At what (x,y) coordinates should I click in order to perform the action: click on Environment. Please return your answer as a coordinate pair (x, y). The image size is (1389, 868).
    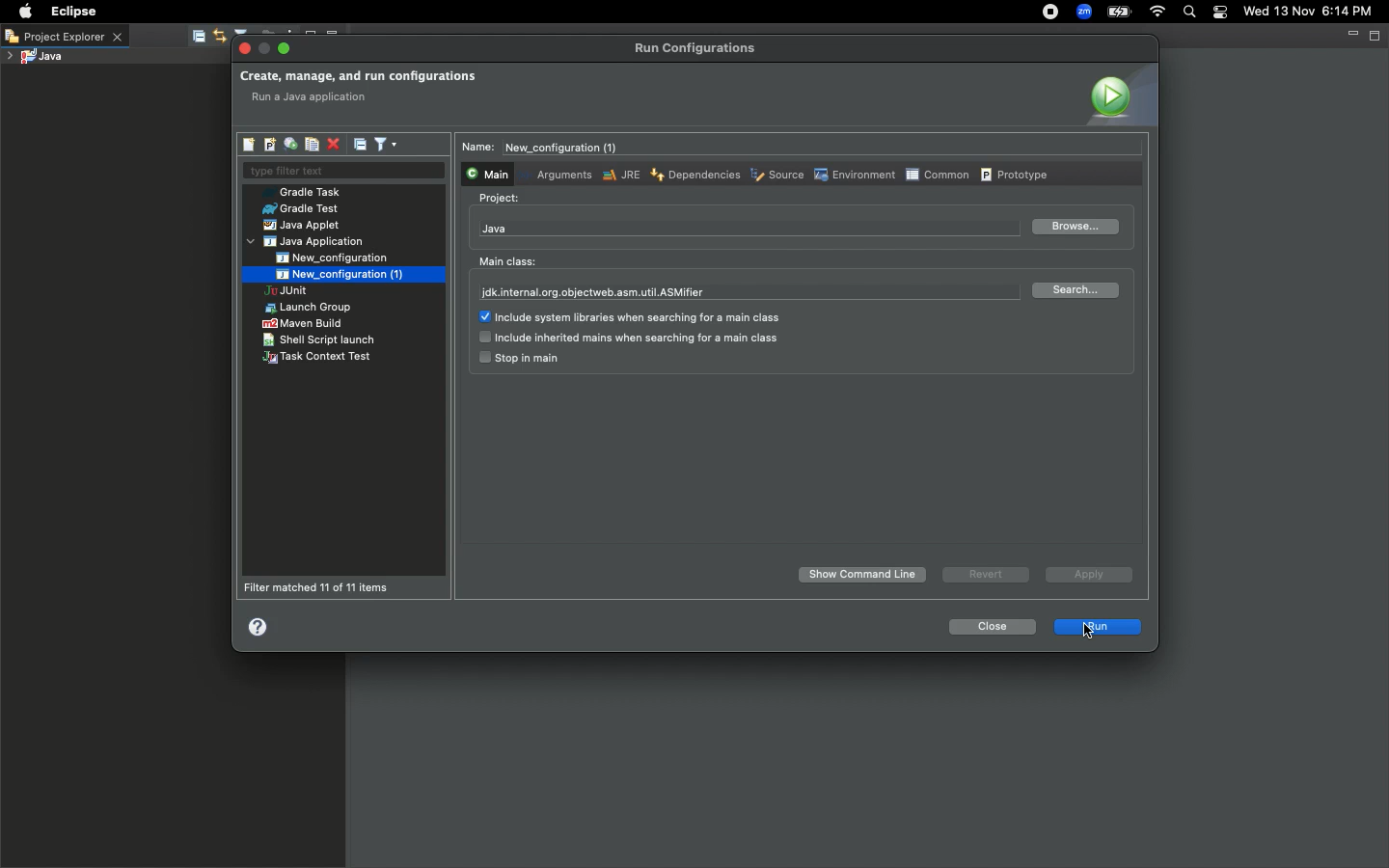
    Looking at the image, I should click on (853, 175).